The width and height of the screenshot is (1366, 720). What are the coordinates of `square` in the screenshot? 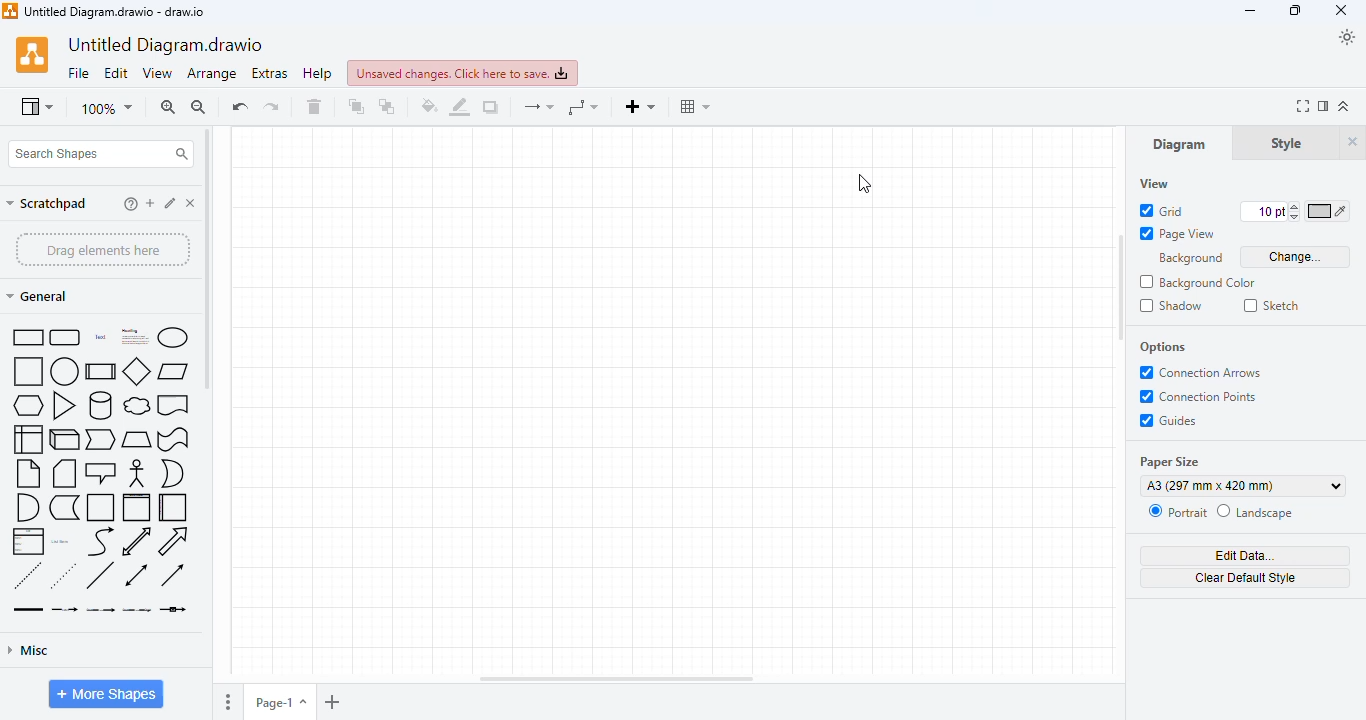 It's located at (28, 371).